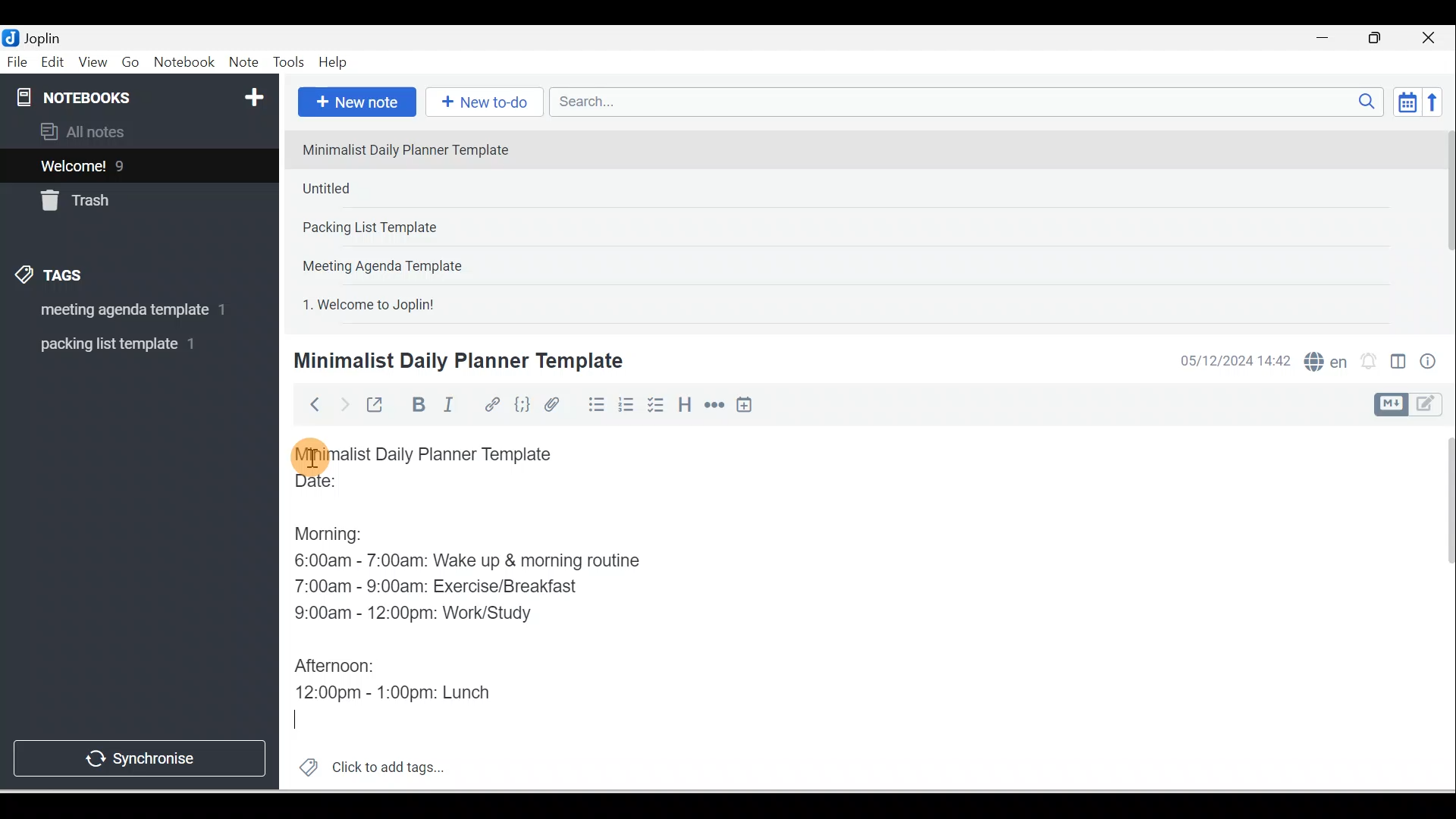 The height and width of the screenshot is (819, 1456). I want to click on Date:, so click(359, 488).